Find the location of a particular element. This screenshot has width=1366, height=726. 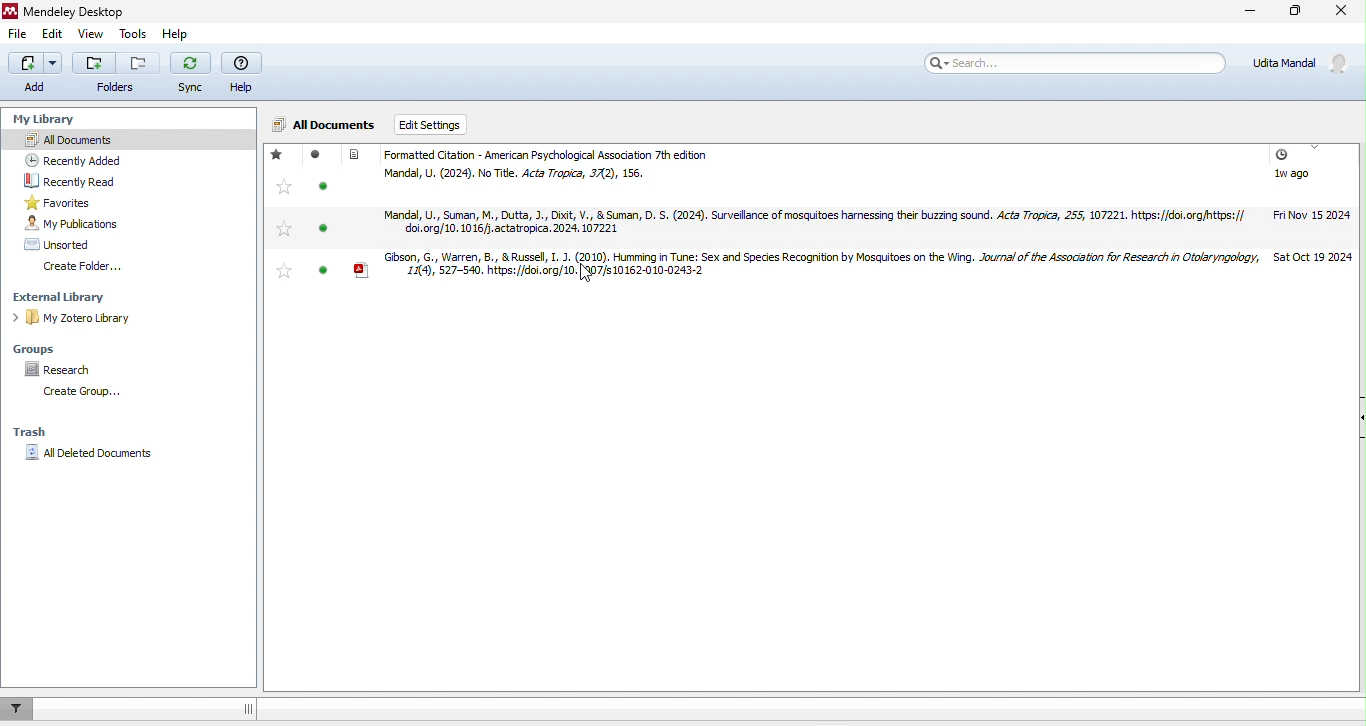

toggle hide/show is located at coordinates (247, 707).